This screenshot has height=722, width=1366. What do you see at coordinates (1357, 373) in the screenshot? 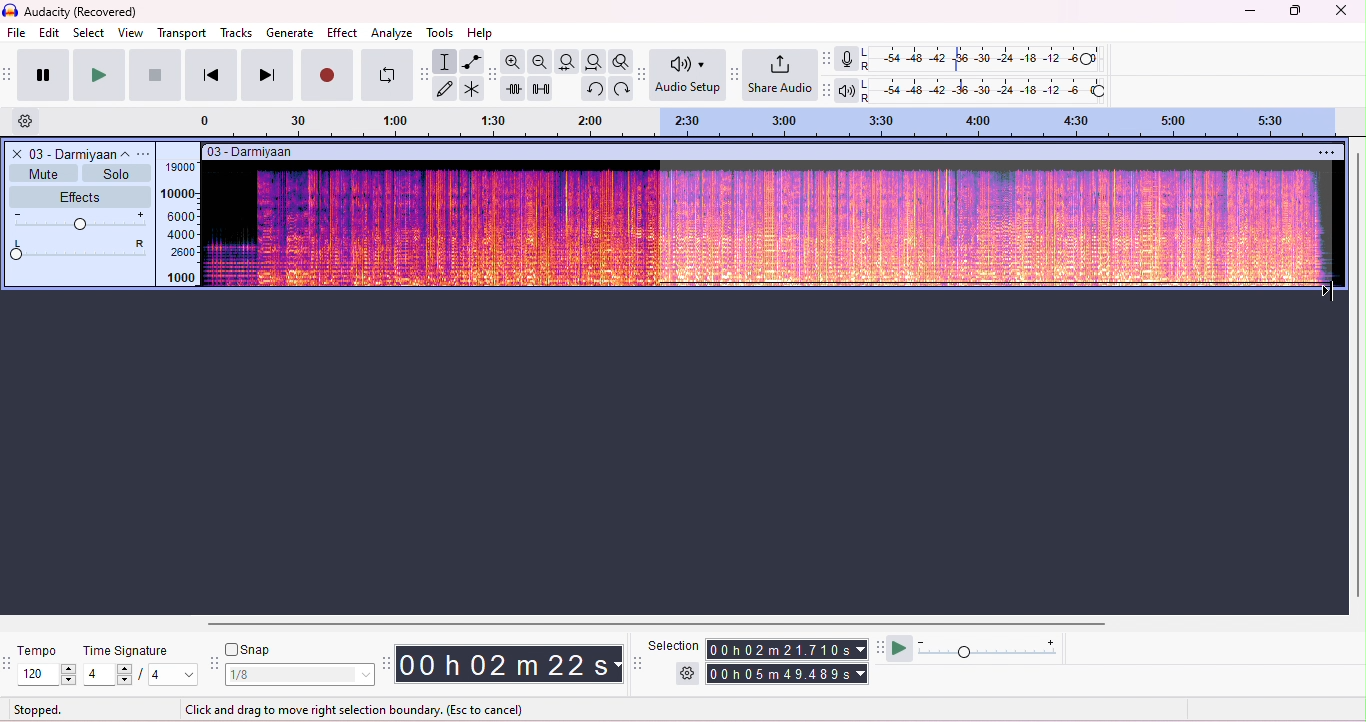
I see `vertical scroll bar` at bounding box center [1357, 373].